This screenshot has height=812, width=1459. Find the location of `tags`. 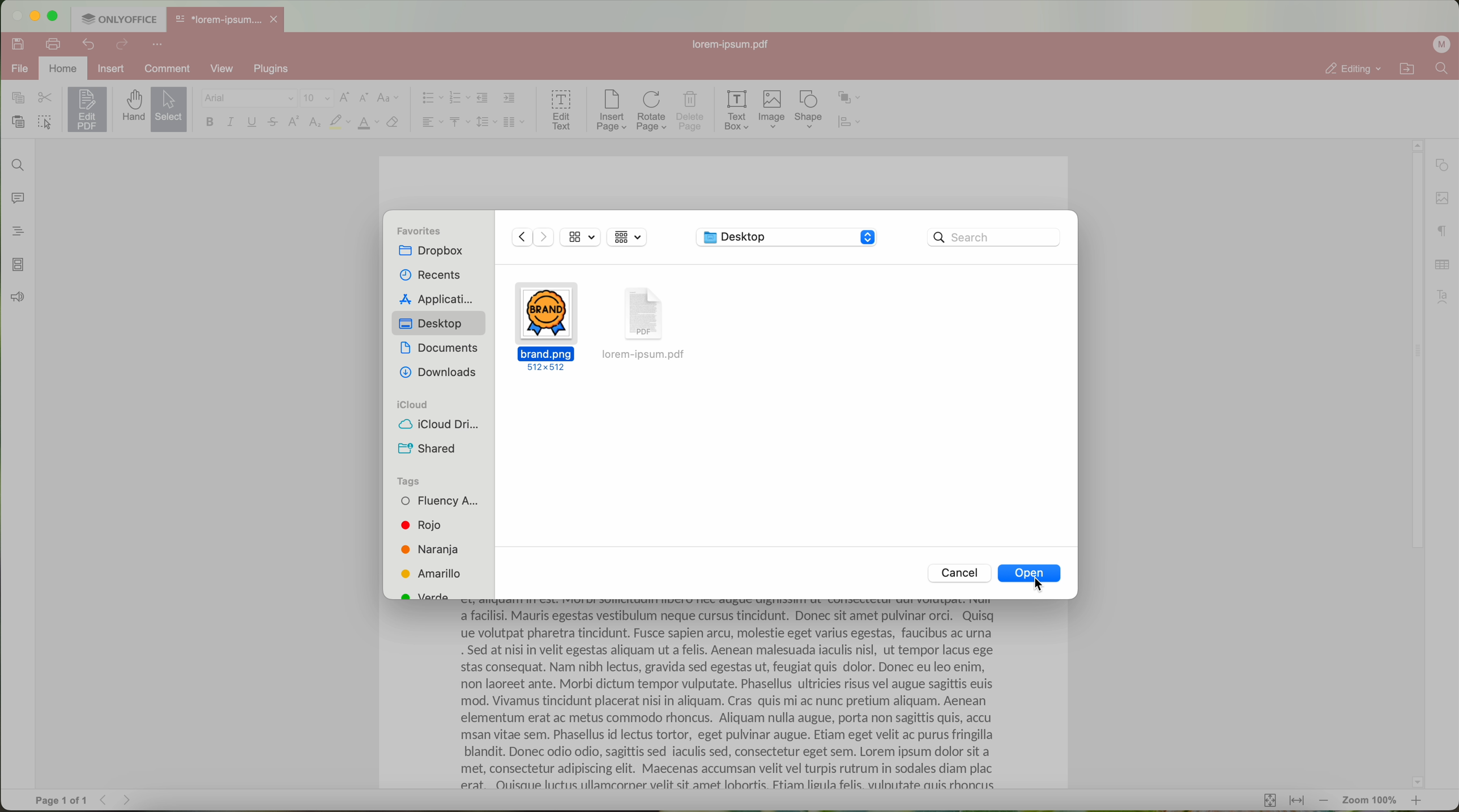

tags is located at coordinates (407, 481).